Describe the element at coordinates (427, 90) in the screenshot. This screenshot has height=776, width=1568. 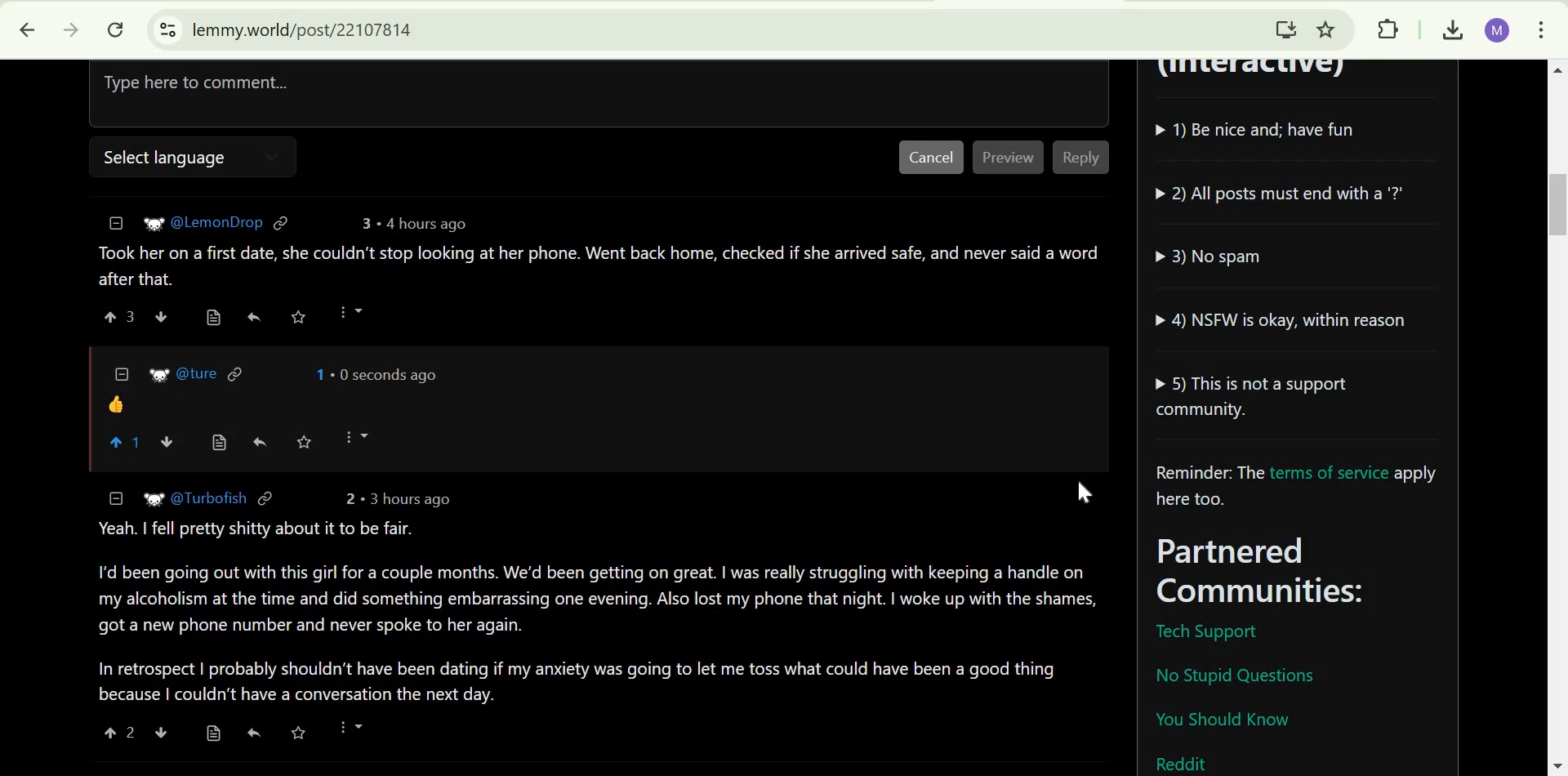
I see `Type here to comment...` at that location.